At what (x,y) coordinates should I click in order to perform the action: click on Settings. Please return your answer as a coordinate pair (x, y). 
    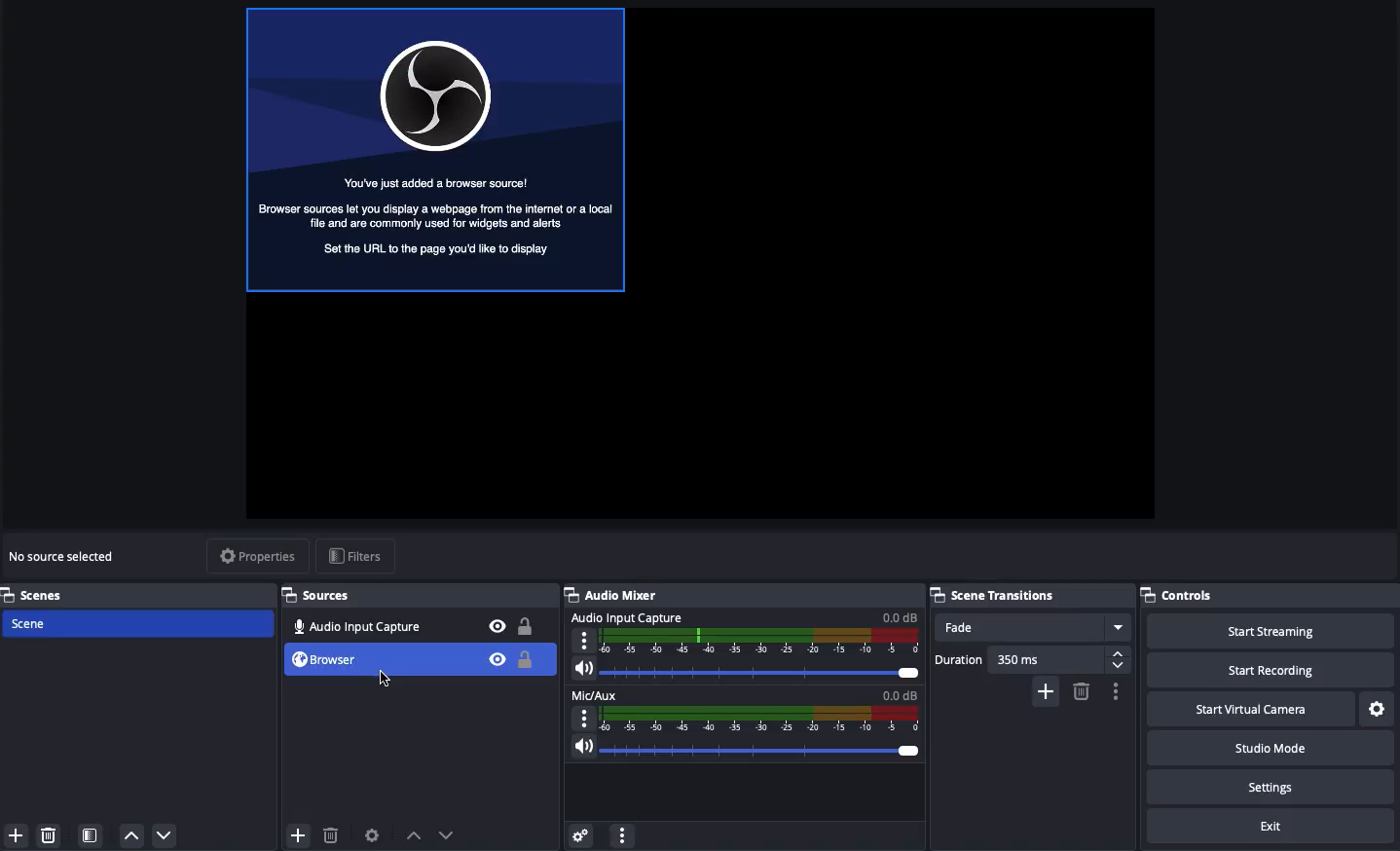
    Looking at the image, I should click on (1267, 787).